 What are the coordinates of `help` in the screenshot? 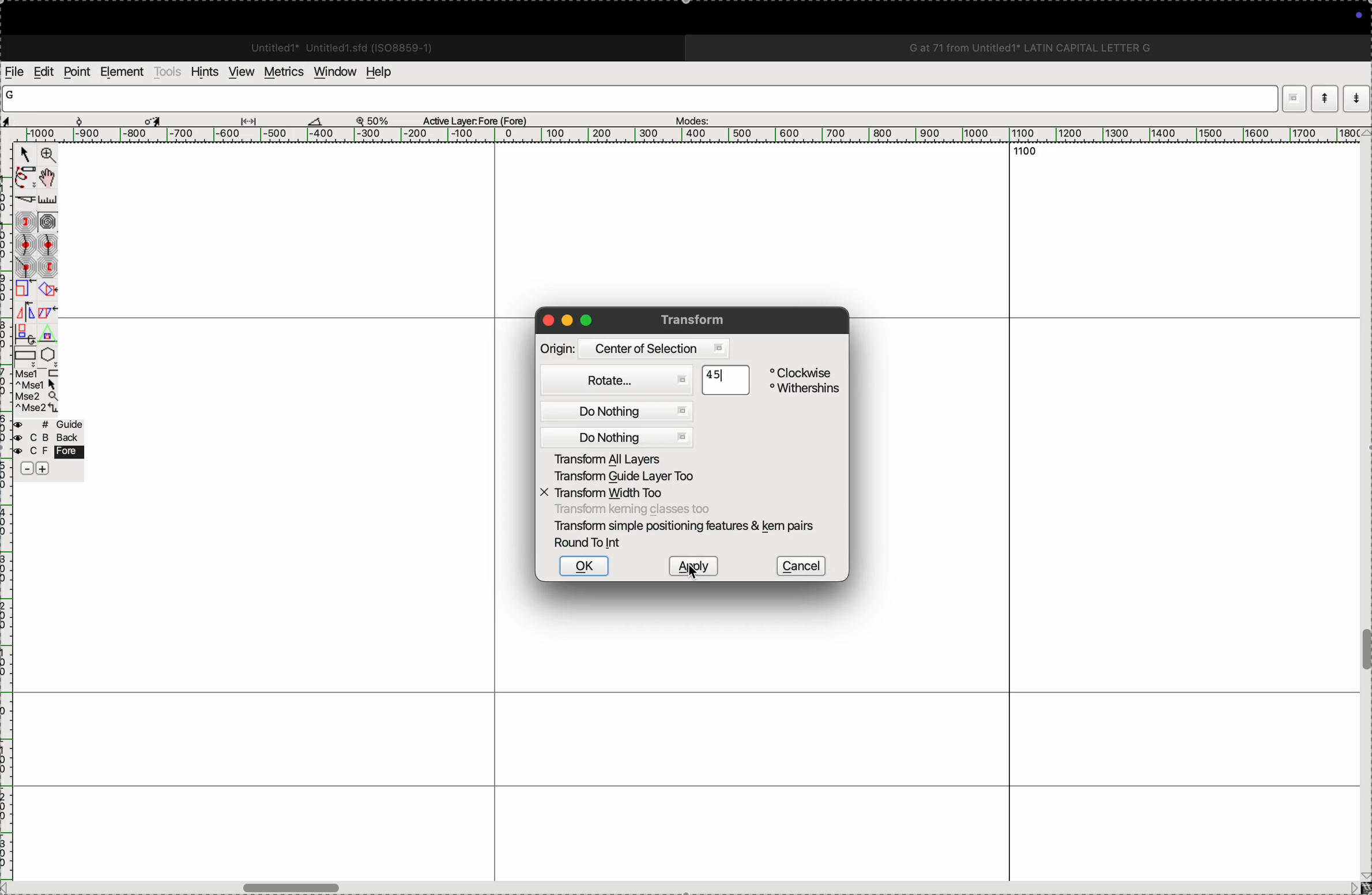 It's located at (385, 72).